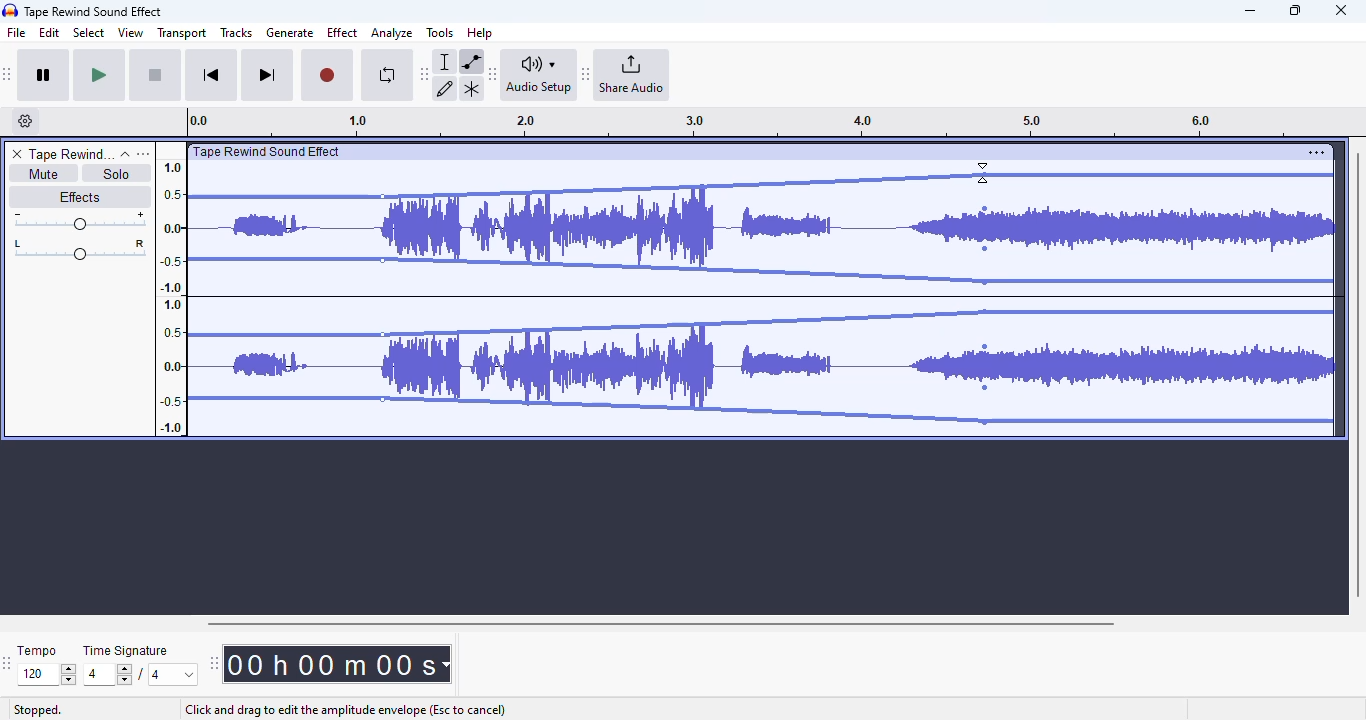  I want to click on analyze, so click(392, 33).